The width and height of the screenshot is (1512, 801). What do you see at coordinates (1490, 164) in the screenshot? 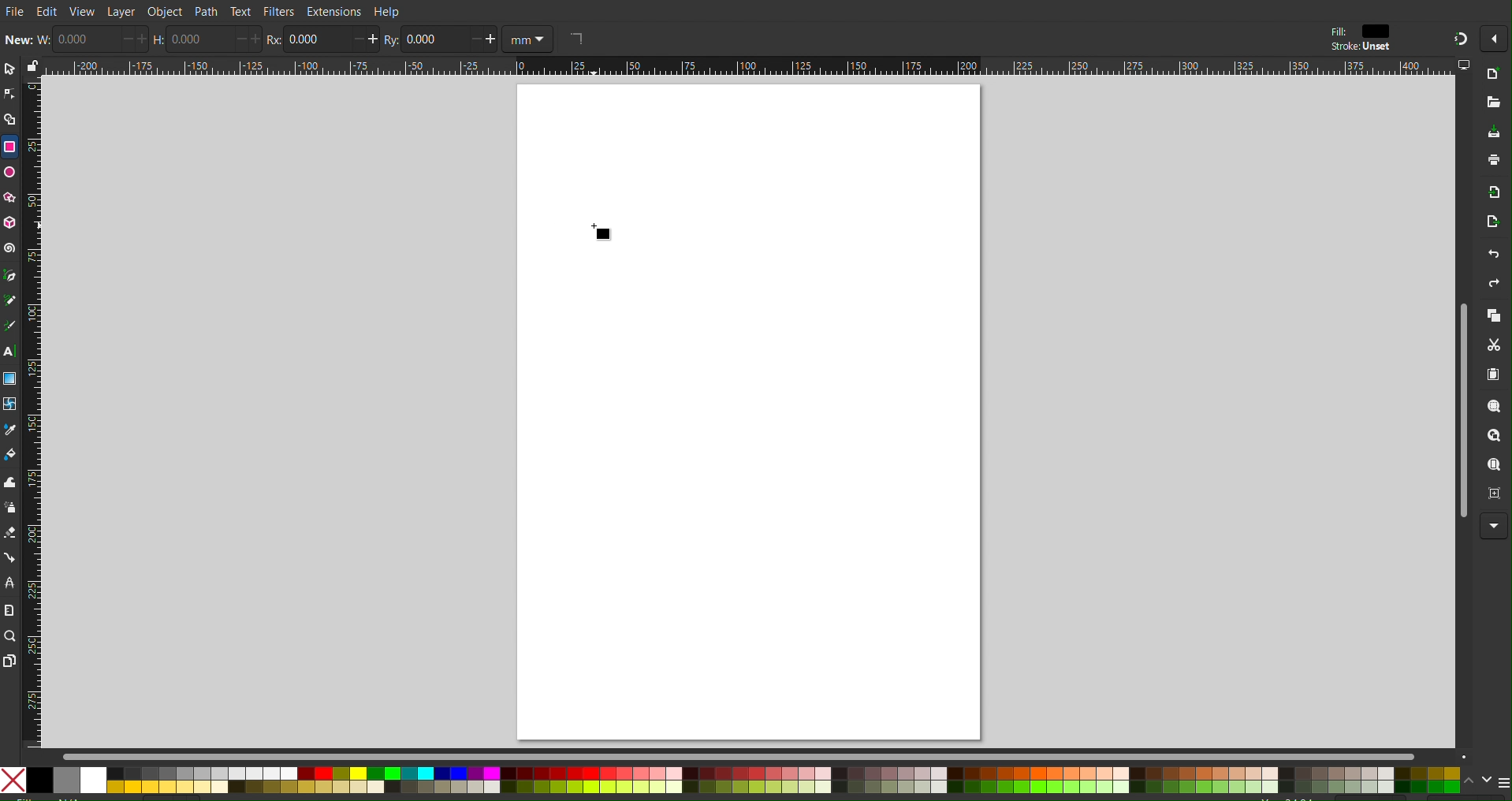
I see `Print` at bounding box center [1490, 164].